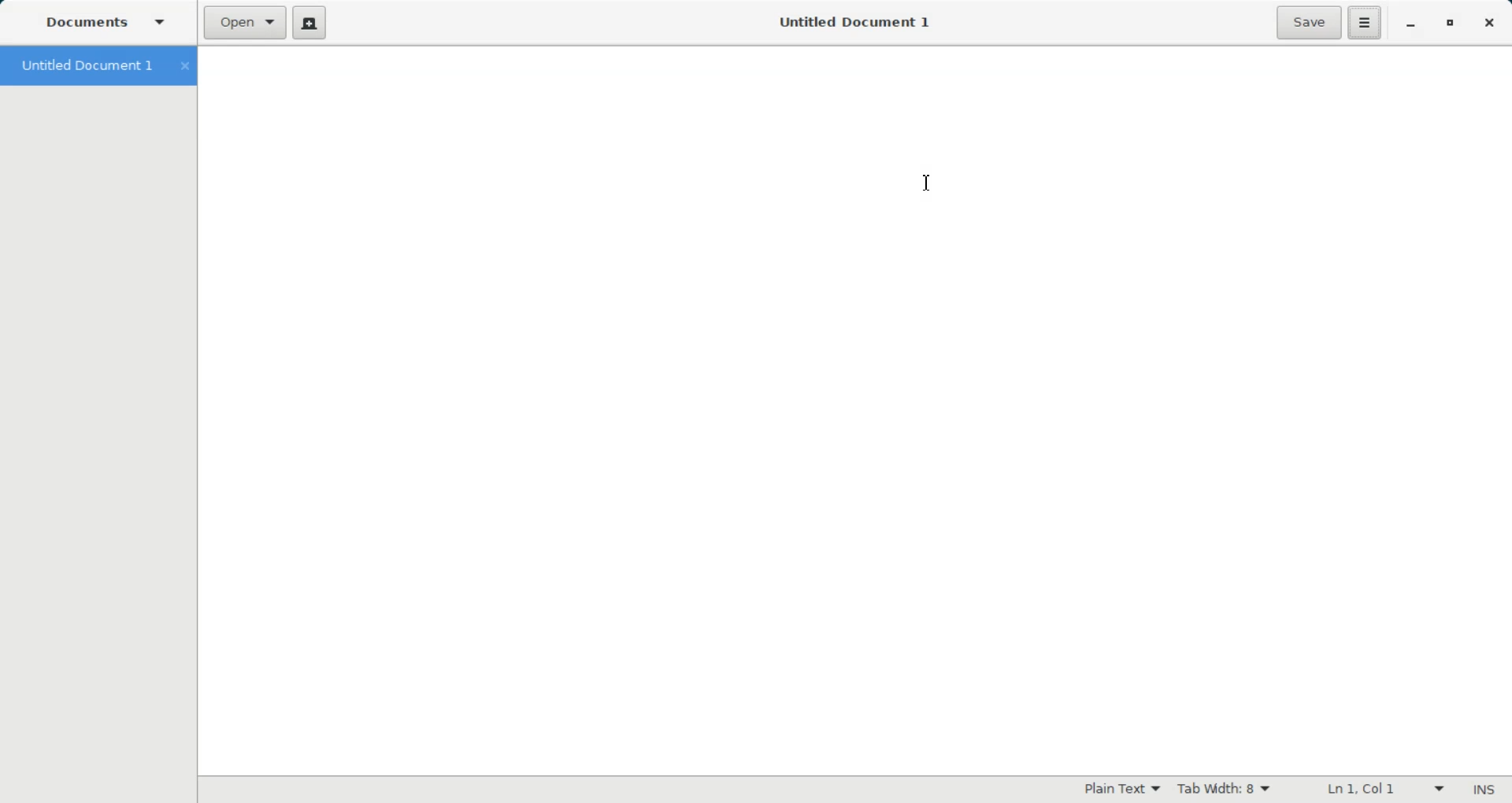 This screenshot has height=803, width=1512. I want to click on Untitled Document 1, so click(845, 21).